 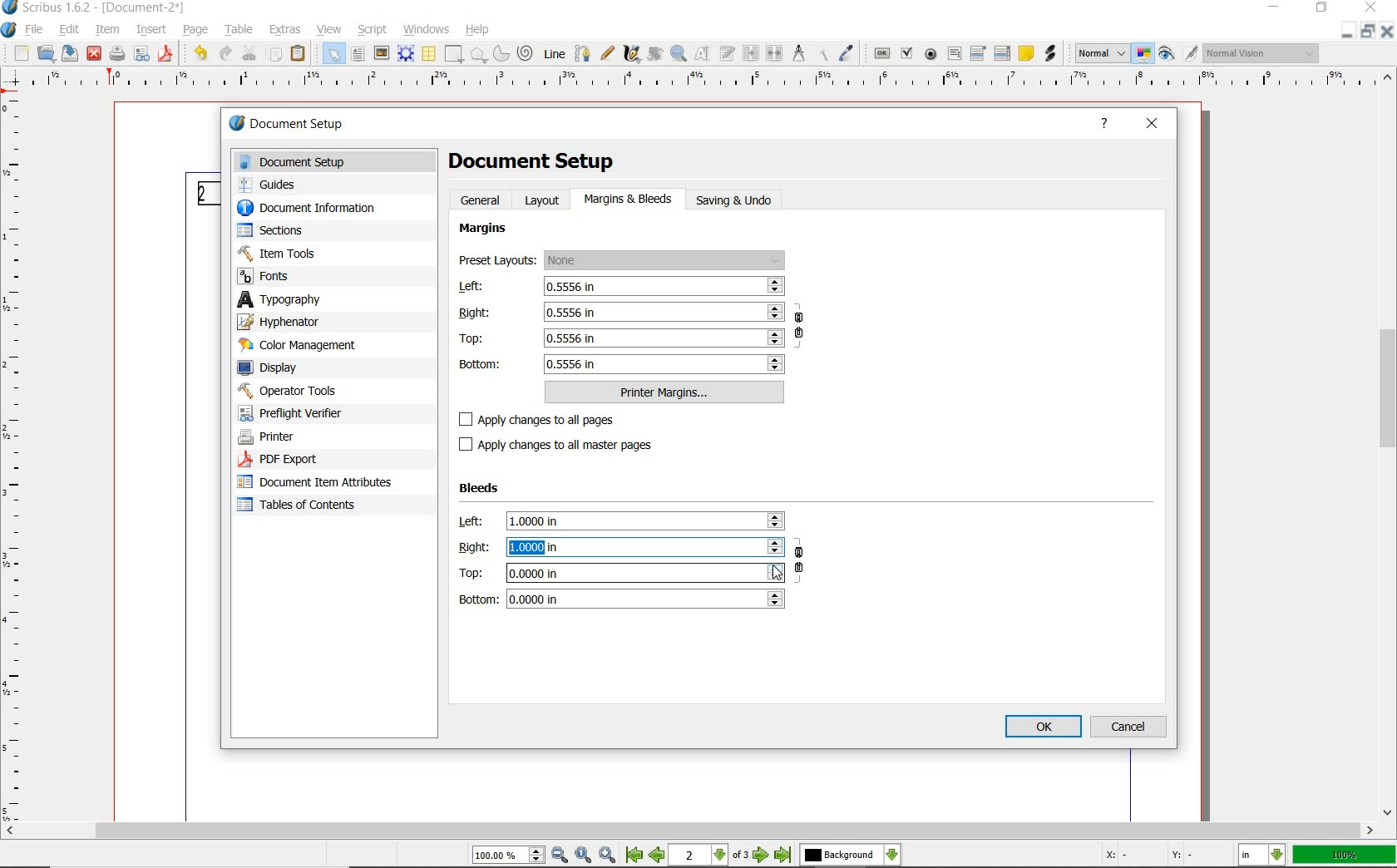 What do you see at coordinates (883, 54) in the screenshot?
I see `pdf push button` at bounding box center [883, 54].